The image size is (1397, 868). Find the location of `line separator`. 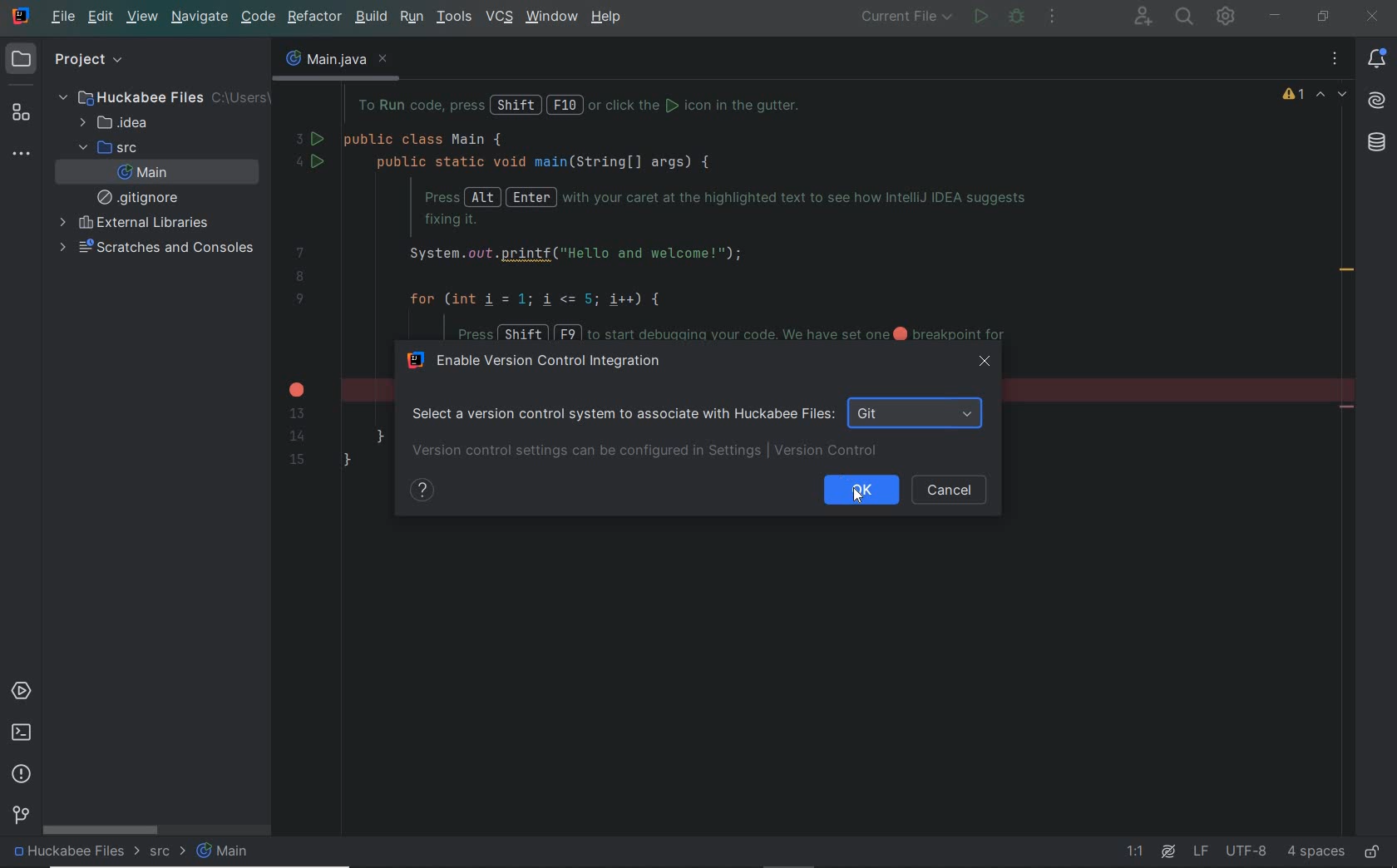

line separator is located at coordinates (1201, 852).